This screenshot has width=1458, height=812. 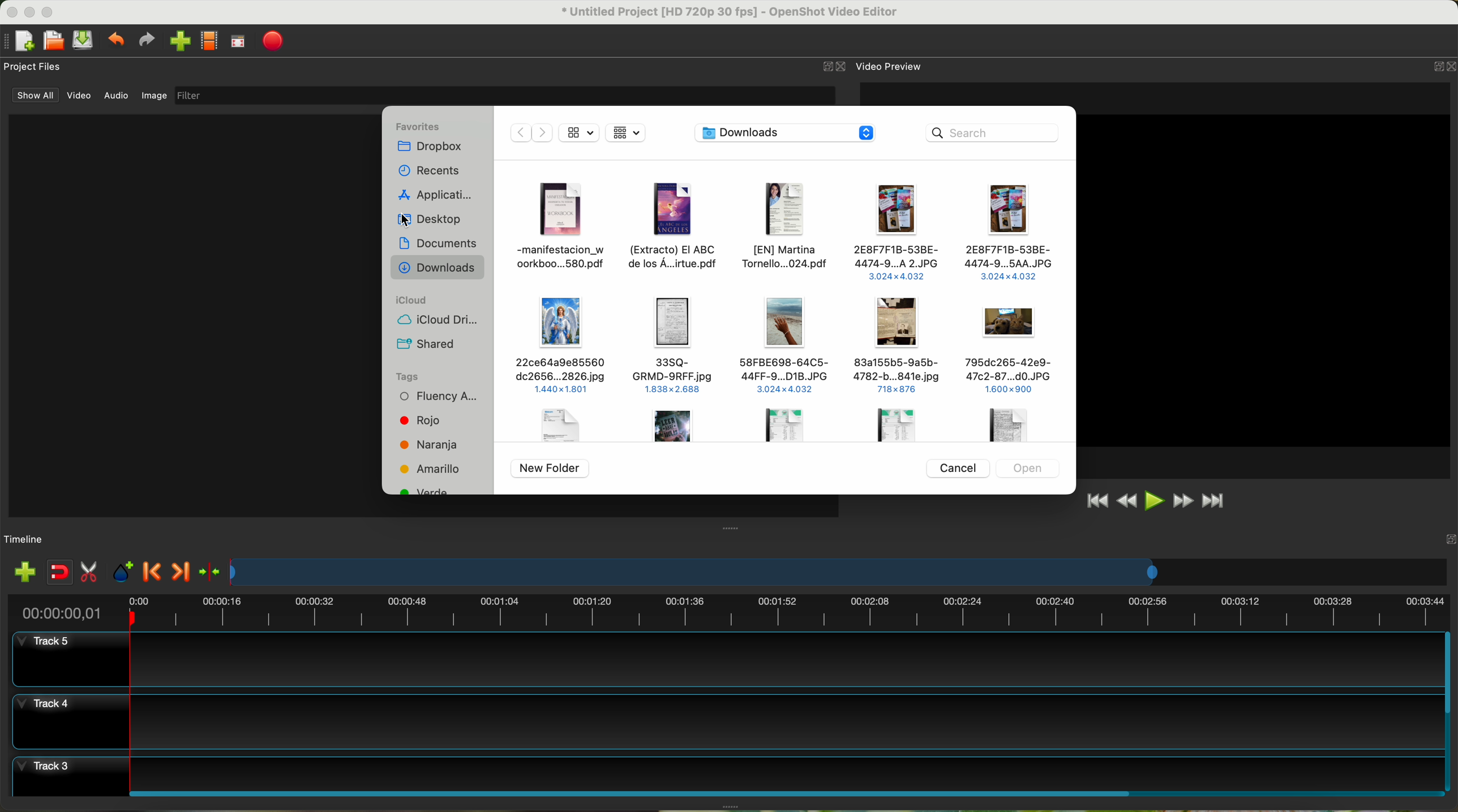 What do you see at coordinates (211, 573) in the screenshot?
I see `center the timeline on the playhead` at bounding box center [211, 573].